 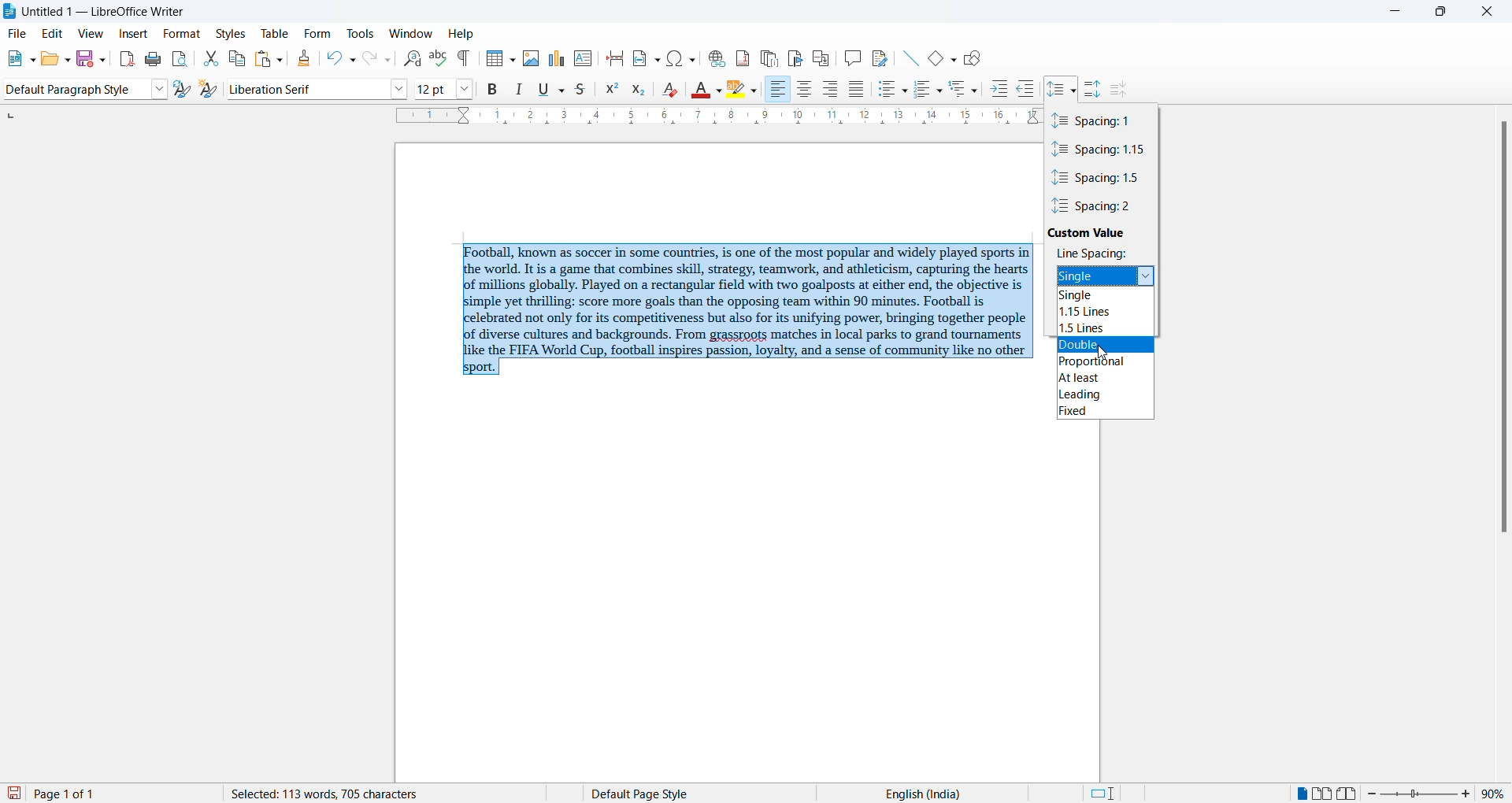 I want to click on bold, so click(x=494, y=89).